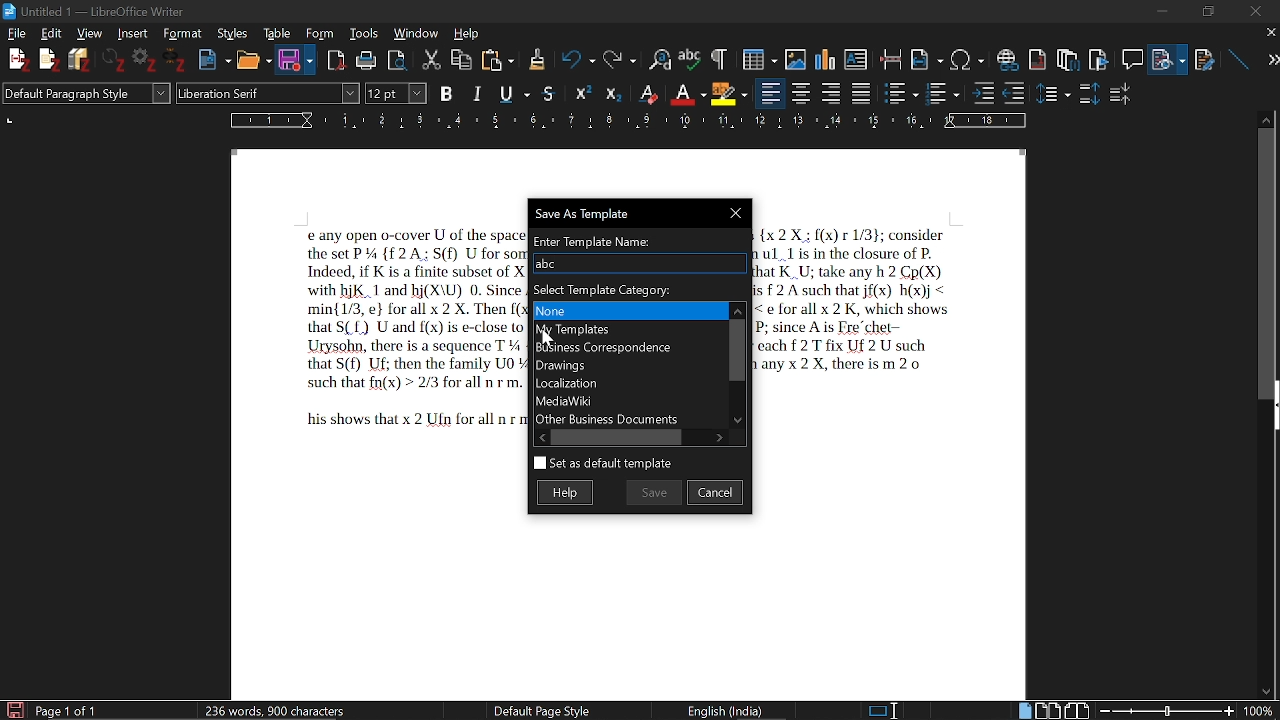  I want to click on Cursor, so click(550, 338).